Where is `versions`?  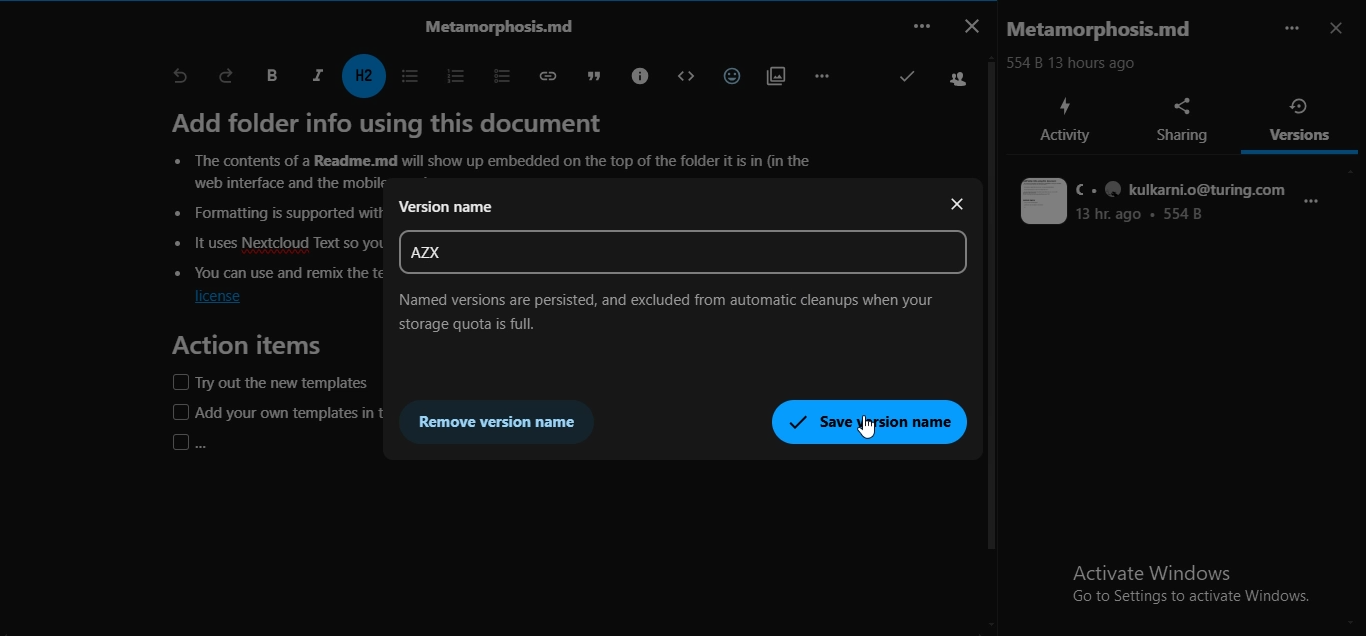 versions is located at coordinates (1301, 119).